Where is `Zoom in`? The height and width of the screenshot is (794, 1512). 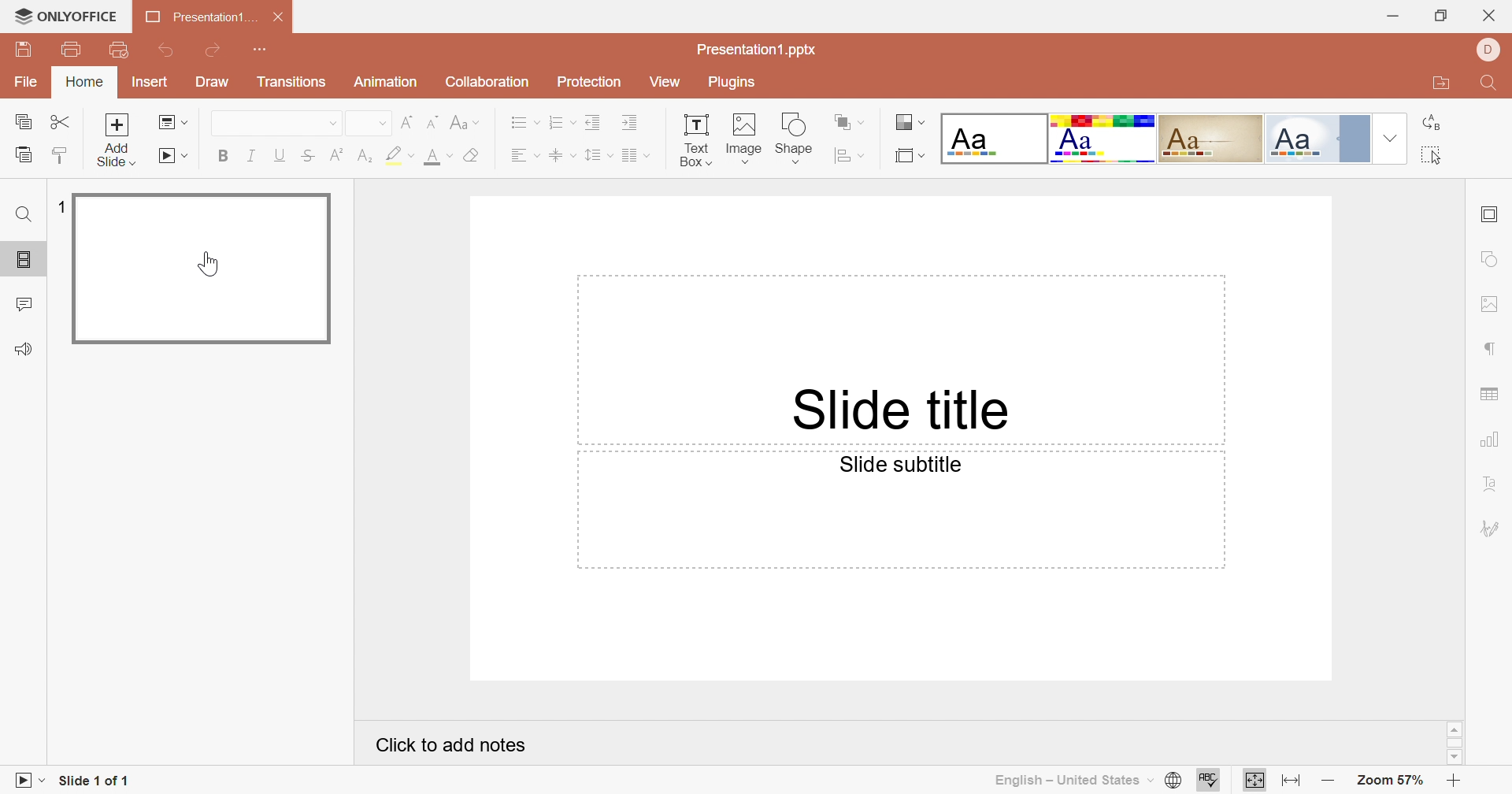
Zoom in is located at coordinates (1457, 782).